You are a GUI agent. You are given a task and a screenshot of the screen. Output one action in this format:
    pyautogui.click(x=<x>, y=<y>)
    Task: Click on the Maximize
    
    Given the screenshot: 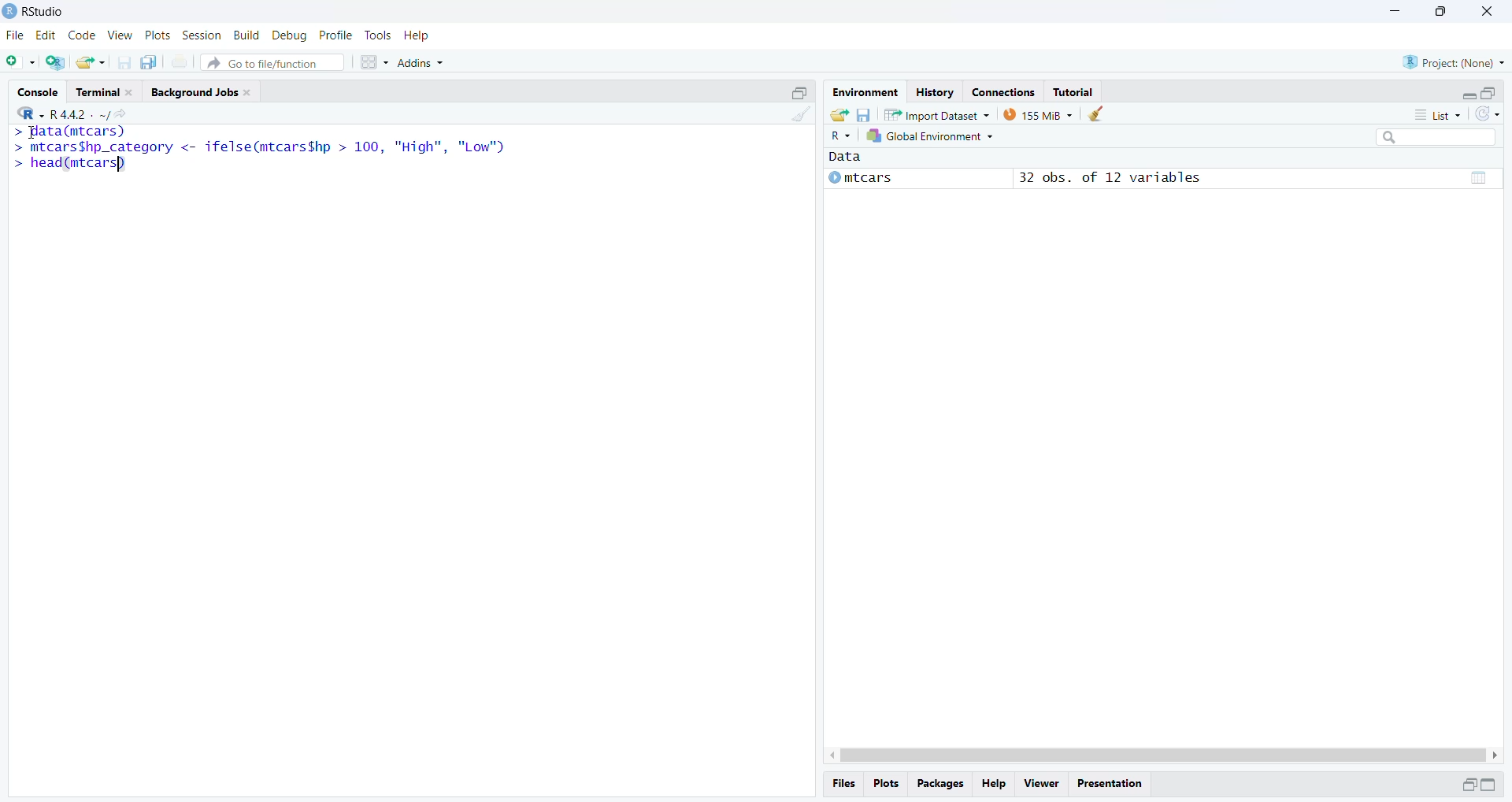 What is the action you would take?
    pyautogui.click(x=801, y=91)
    